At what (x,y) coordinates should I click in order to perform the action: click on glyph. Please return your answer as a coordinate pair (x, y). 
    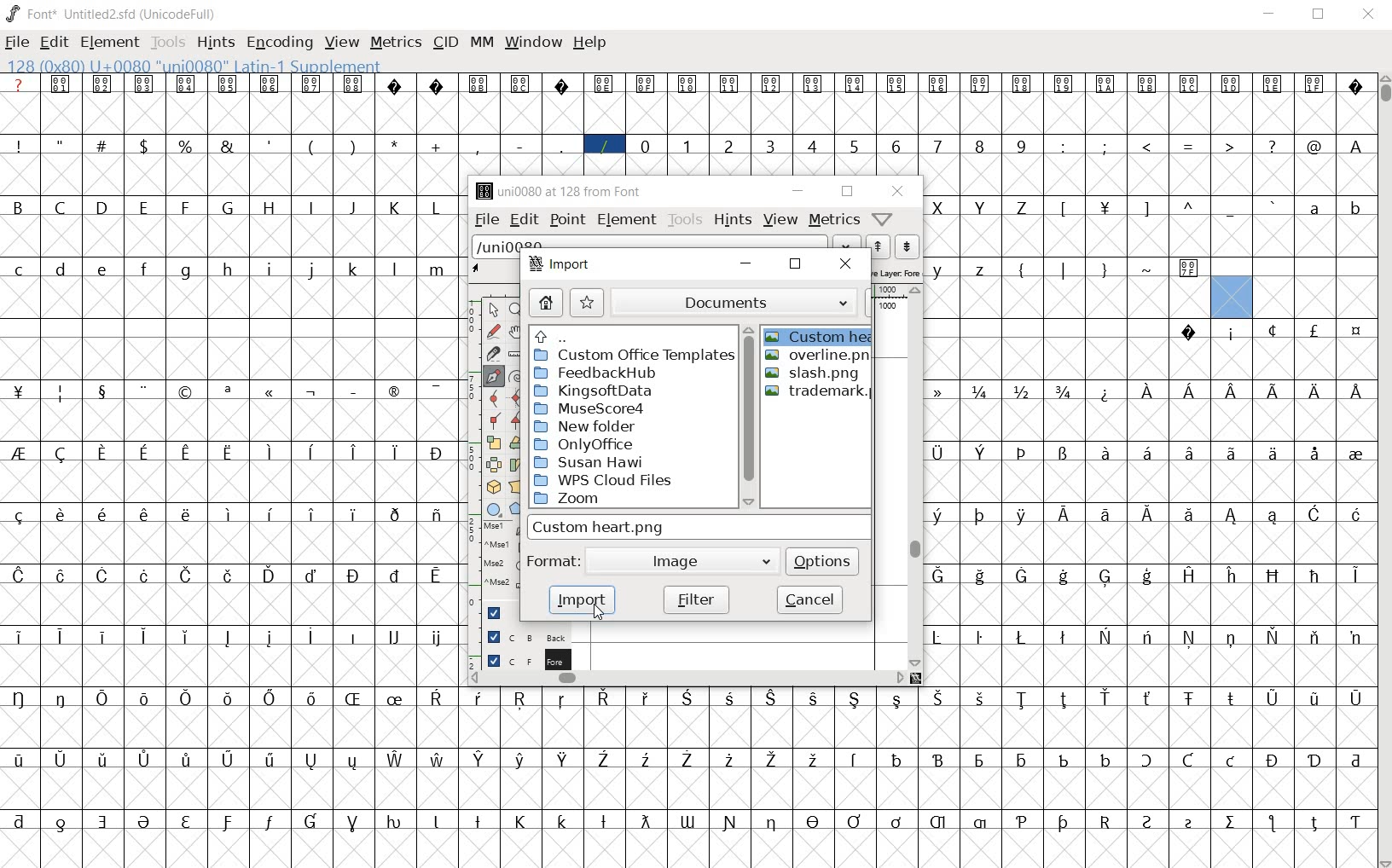
    Looking at the image, I should click on (1105, 271).